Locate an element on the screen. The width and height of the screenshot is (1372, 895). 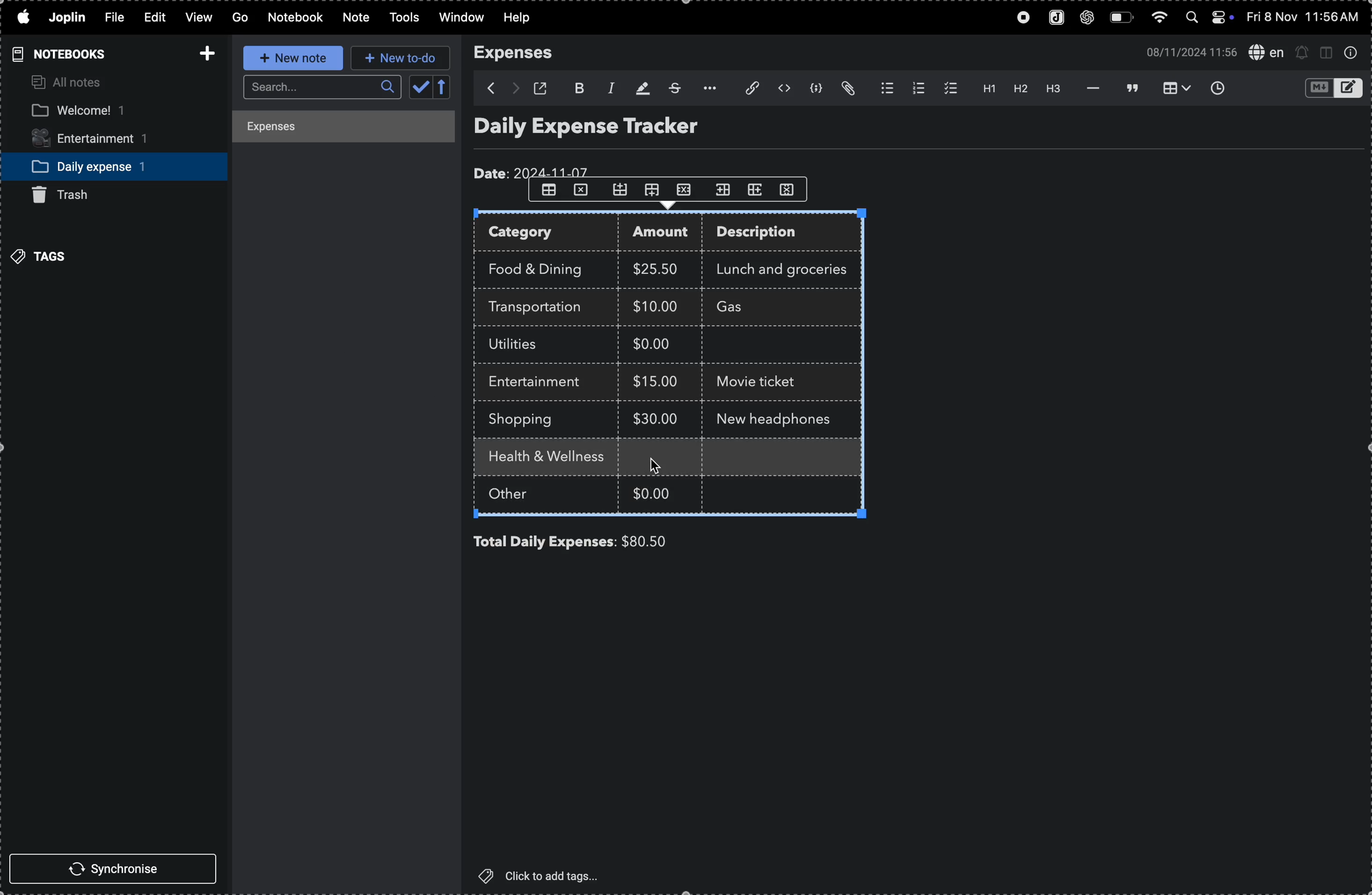
options is located at coordinates (706, 88).